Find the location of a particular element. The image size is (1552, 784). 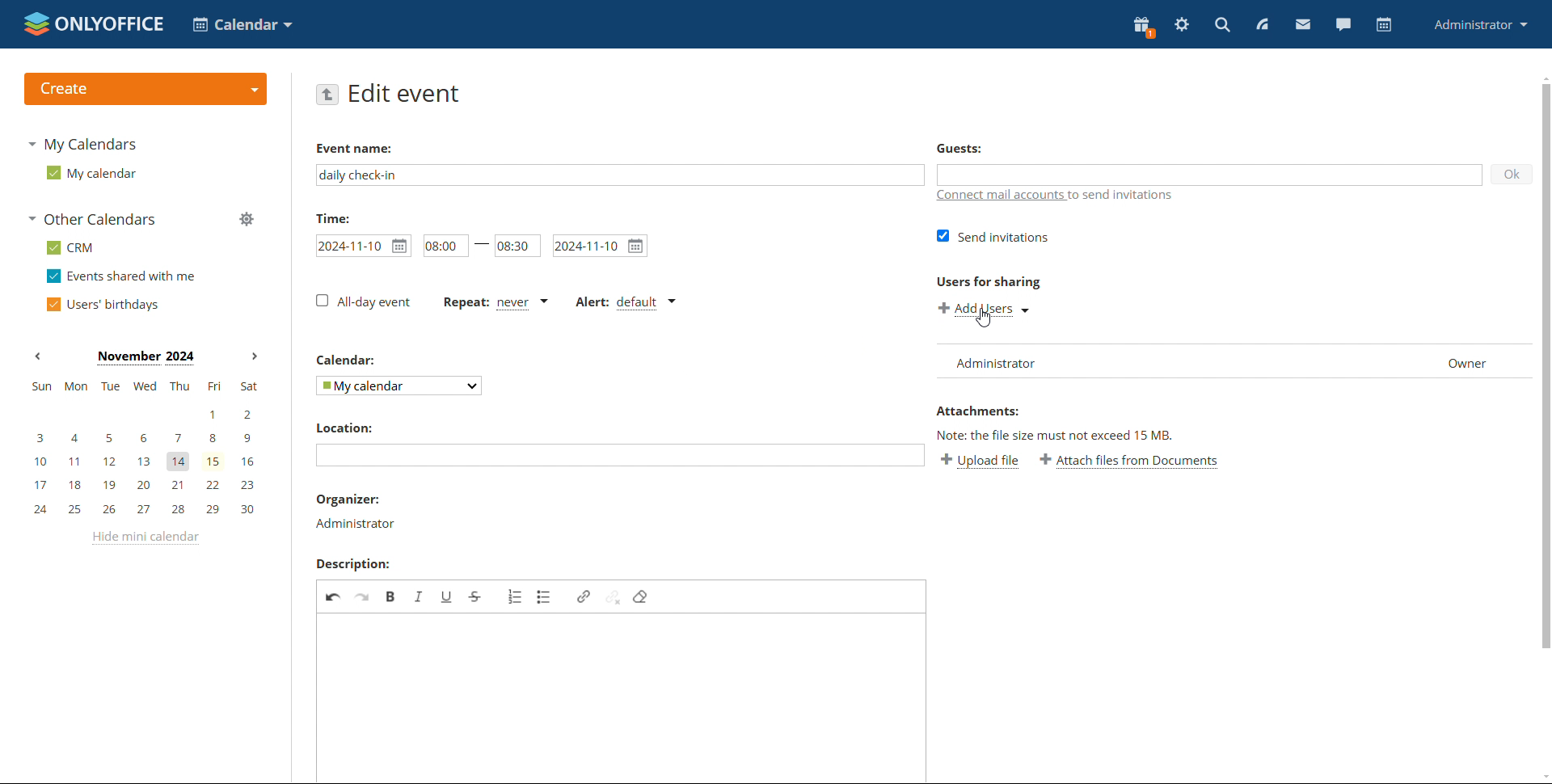

users' birthdays is located at coordinates (102, 304).